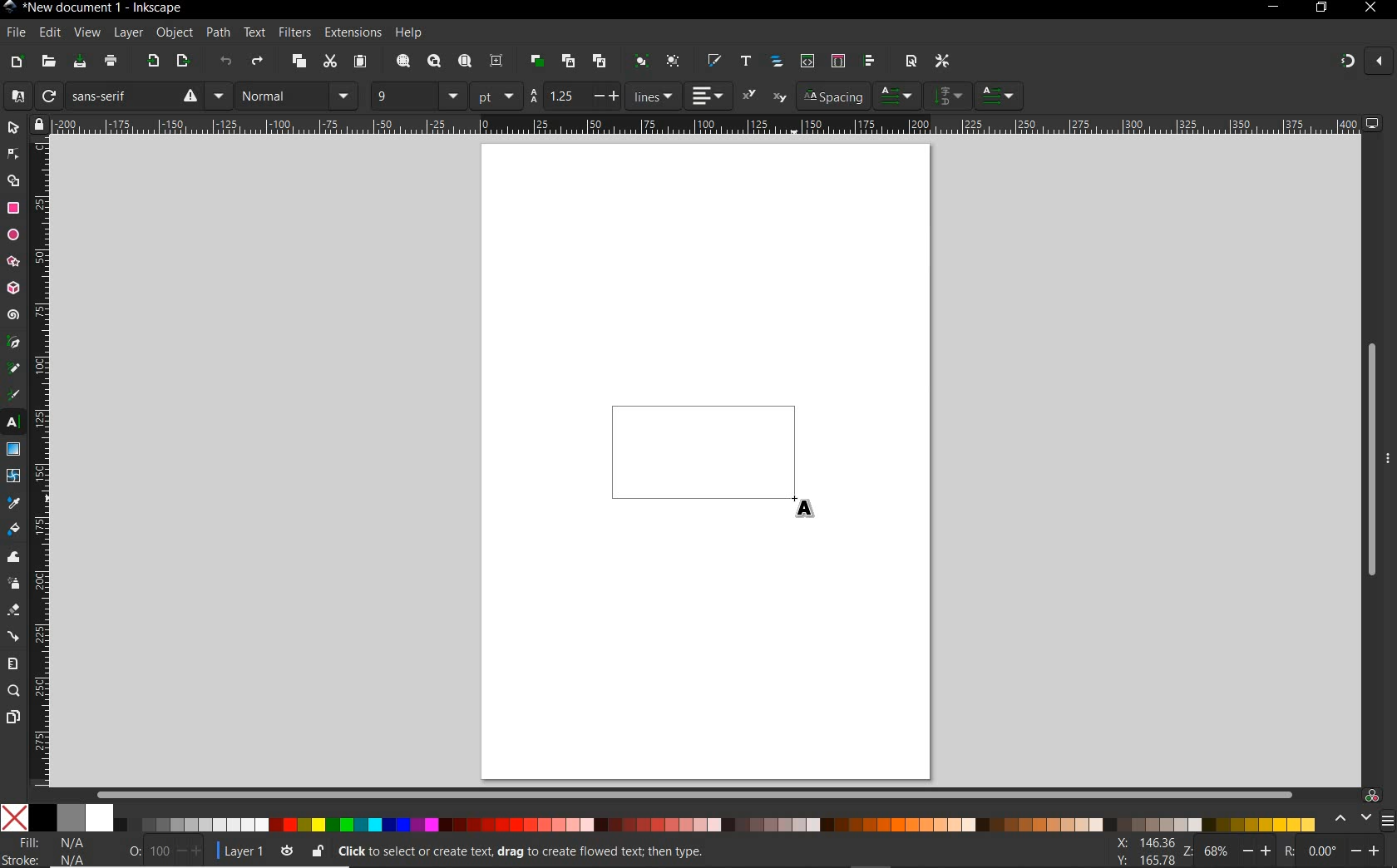  What do you see at coordinates (1370, 795) in the screenshot?
I see `color managed mode` at bounding box center [1370, 795].